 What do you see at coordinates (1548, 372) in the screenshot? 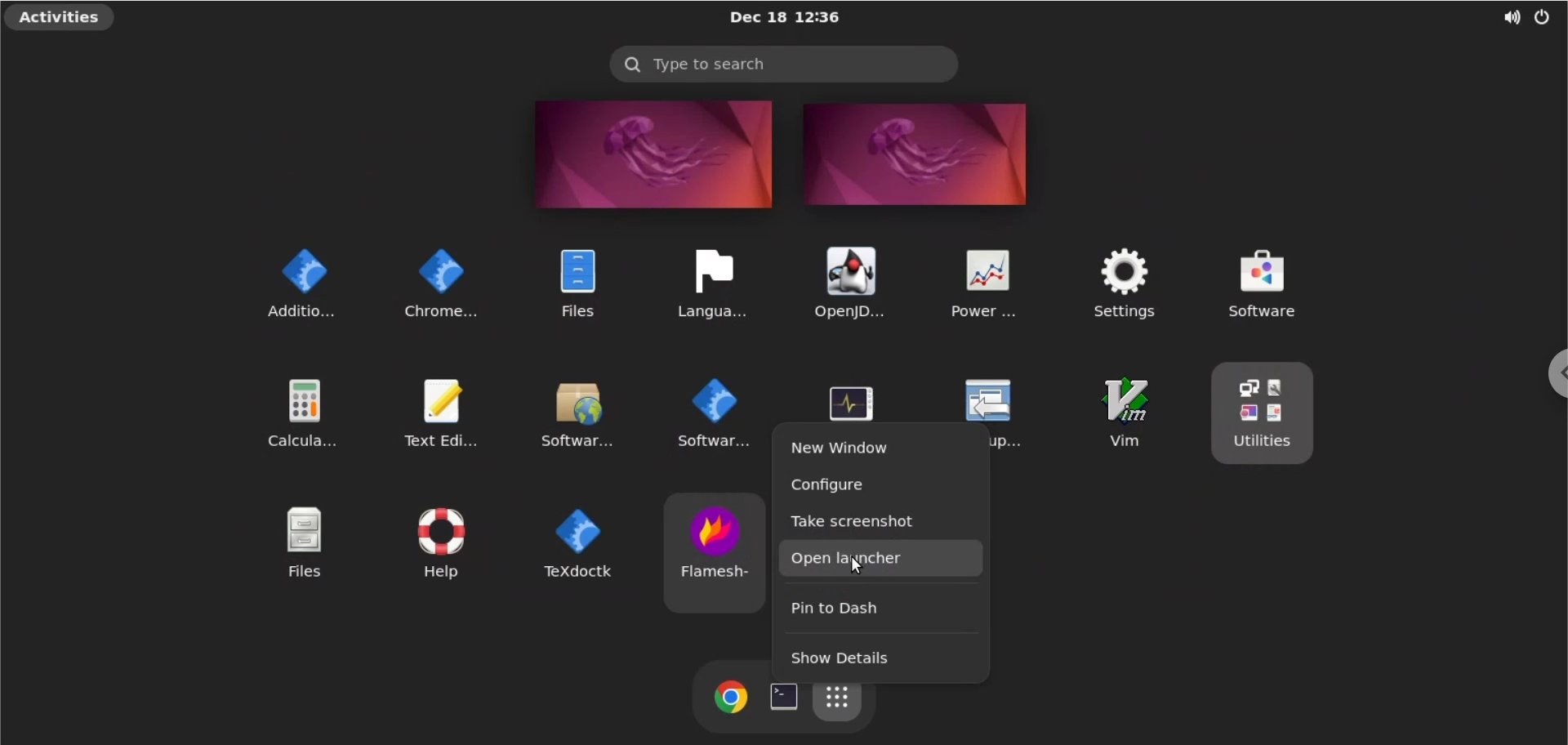
I see `chrome option` at bounding box center [1548, 372].